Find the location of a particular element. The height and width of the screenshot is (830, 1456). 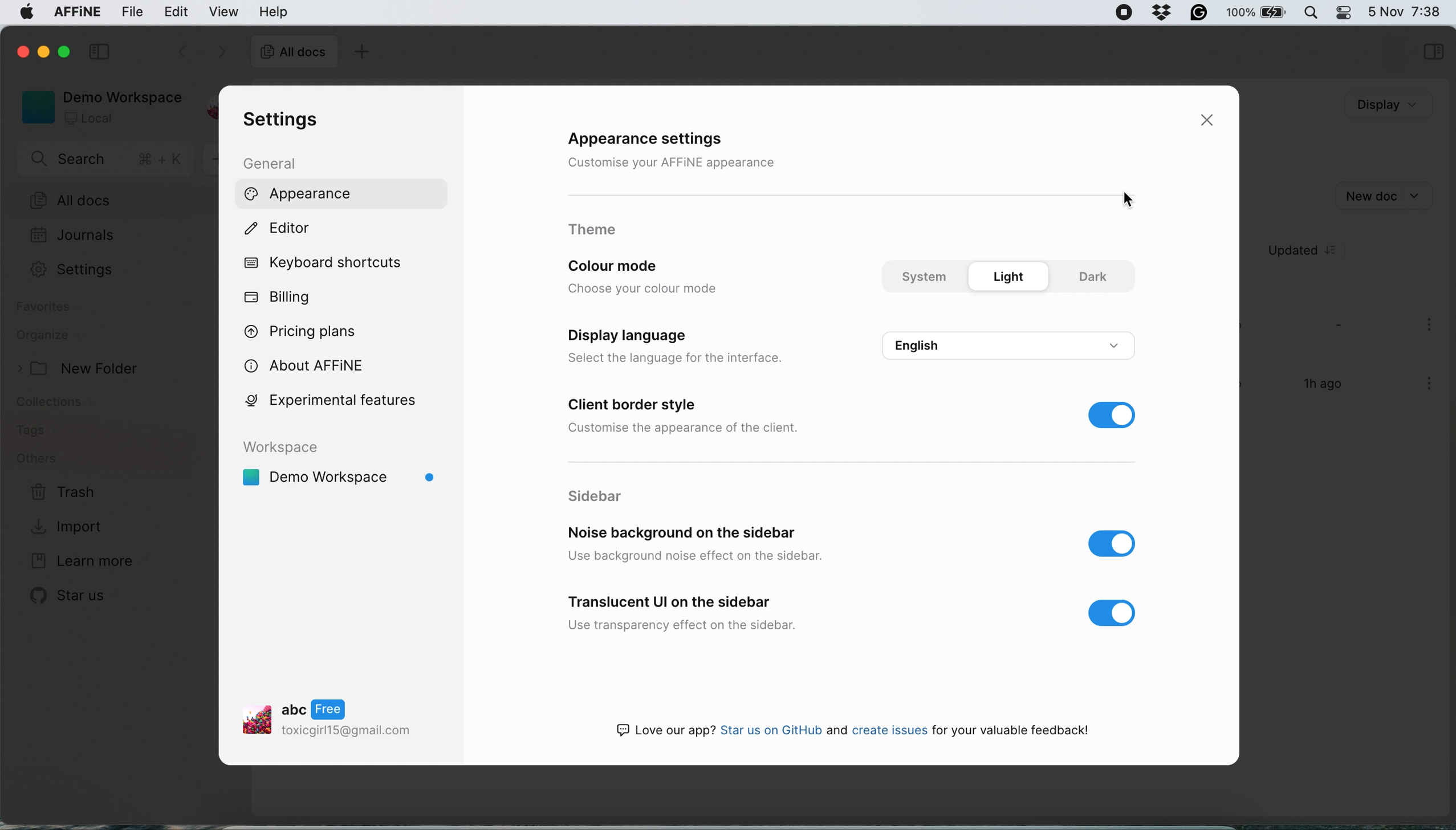

edit is located at coordinates (176, 13).